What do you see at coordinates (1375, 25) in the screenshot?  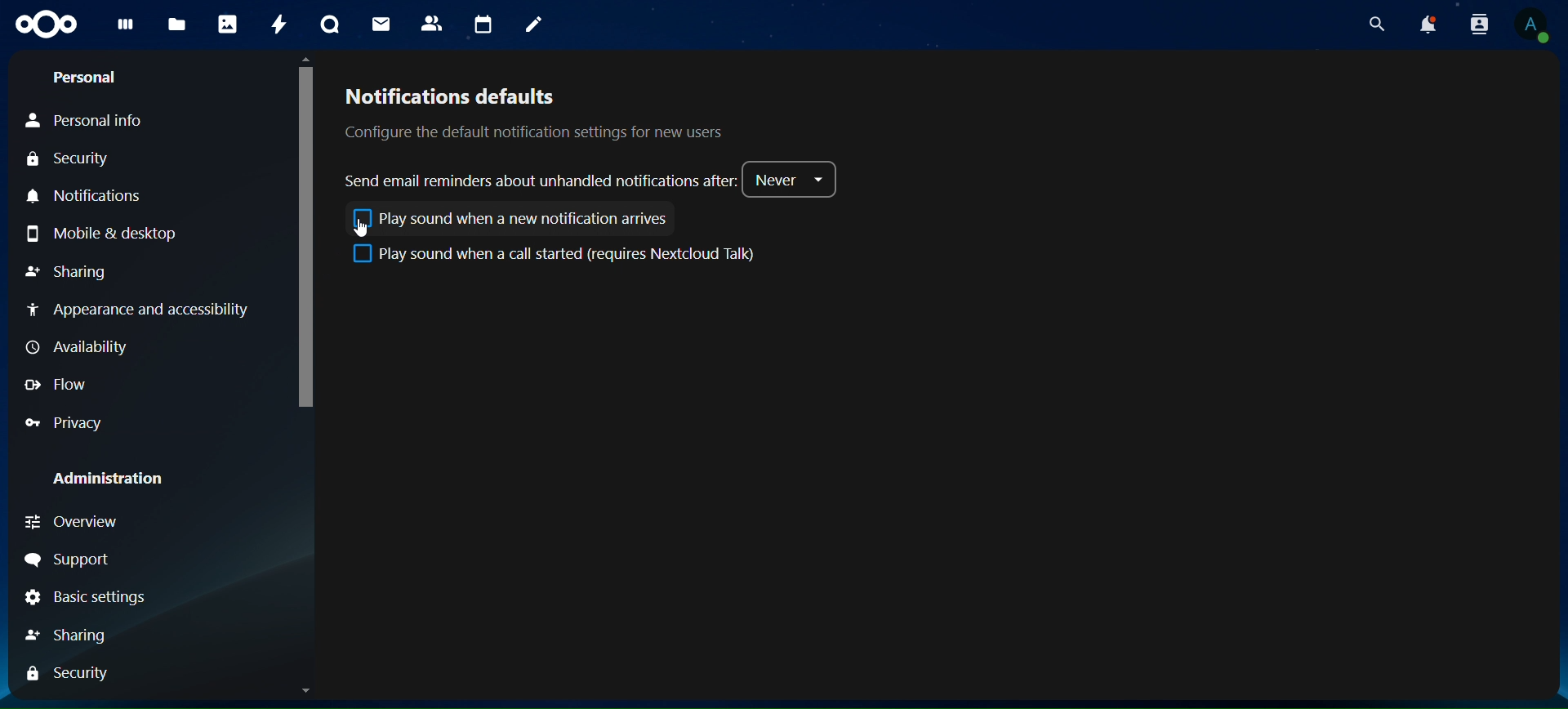 I see `search` at bounding box center [1375, 25].